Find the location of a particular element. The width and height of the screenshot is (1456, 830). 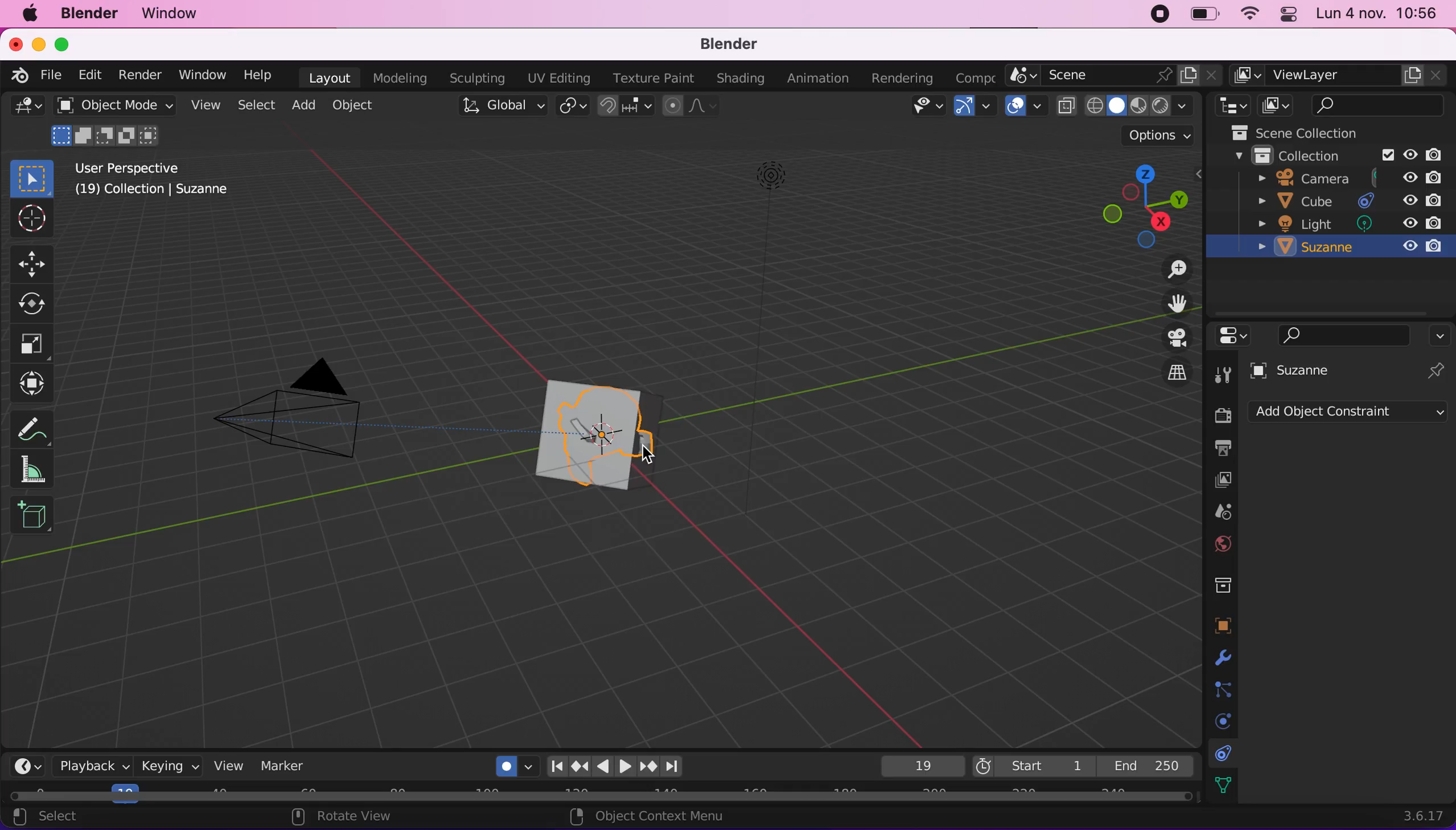

uv editing is located at coordinates (558, 78).